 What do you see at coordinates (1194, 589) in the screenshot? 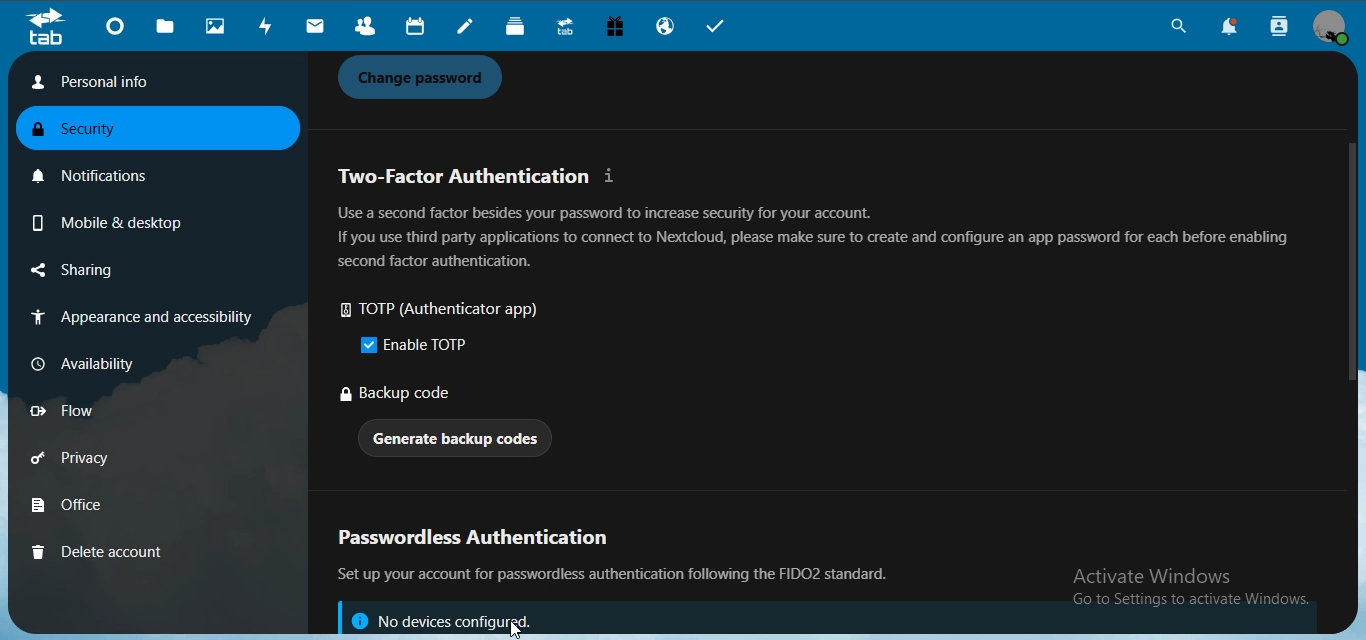
I see `Activate Windows
Go to Settings to activate Windows.` at bounding box center [1194, 589].